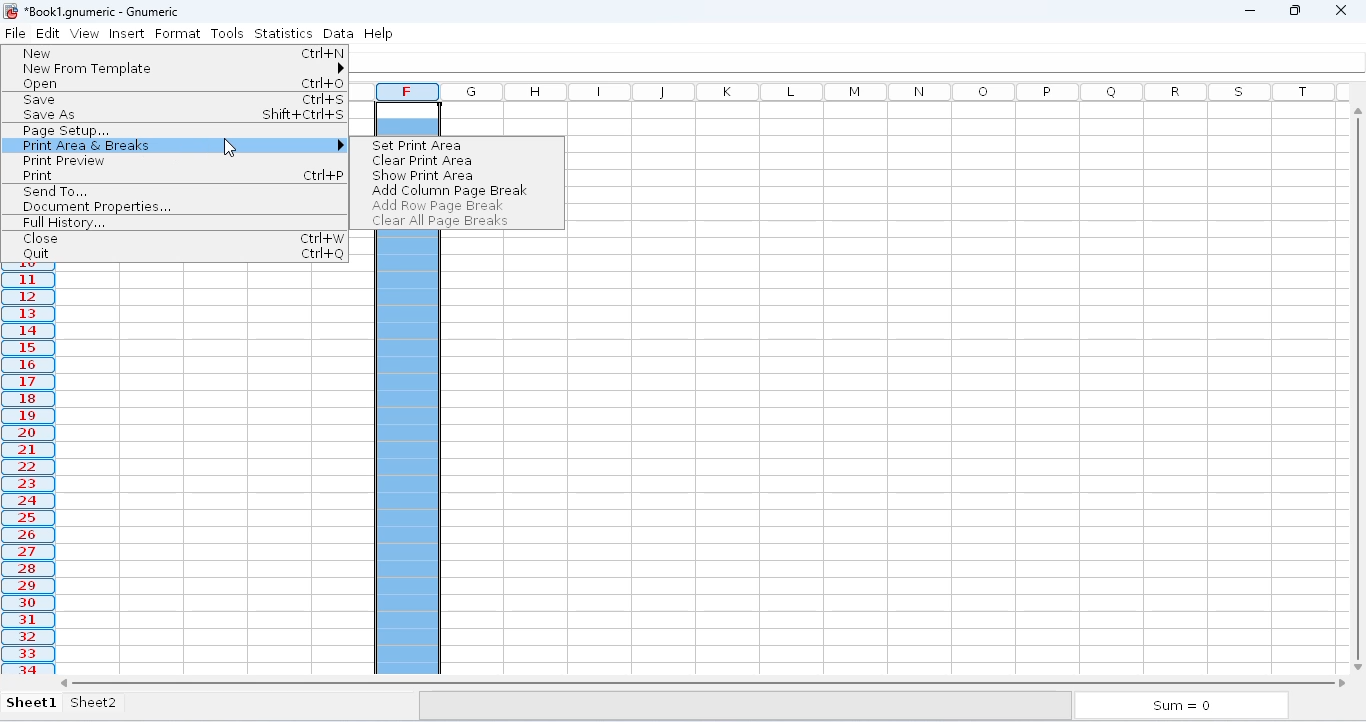 This screenshot has height=722, width=1366. What do you see at coordinates (181, 69) in the screenshot?
I see `new from template` at bounding box center [181, 69].